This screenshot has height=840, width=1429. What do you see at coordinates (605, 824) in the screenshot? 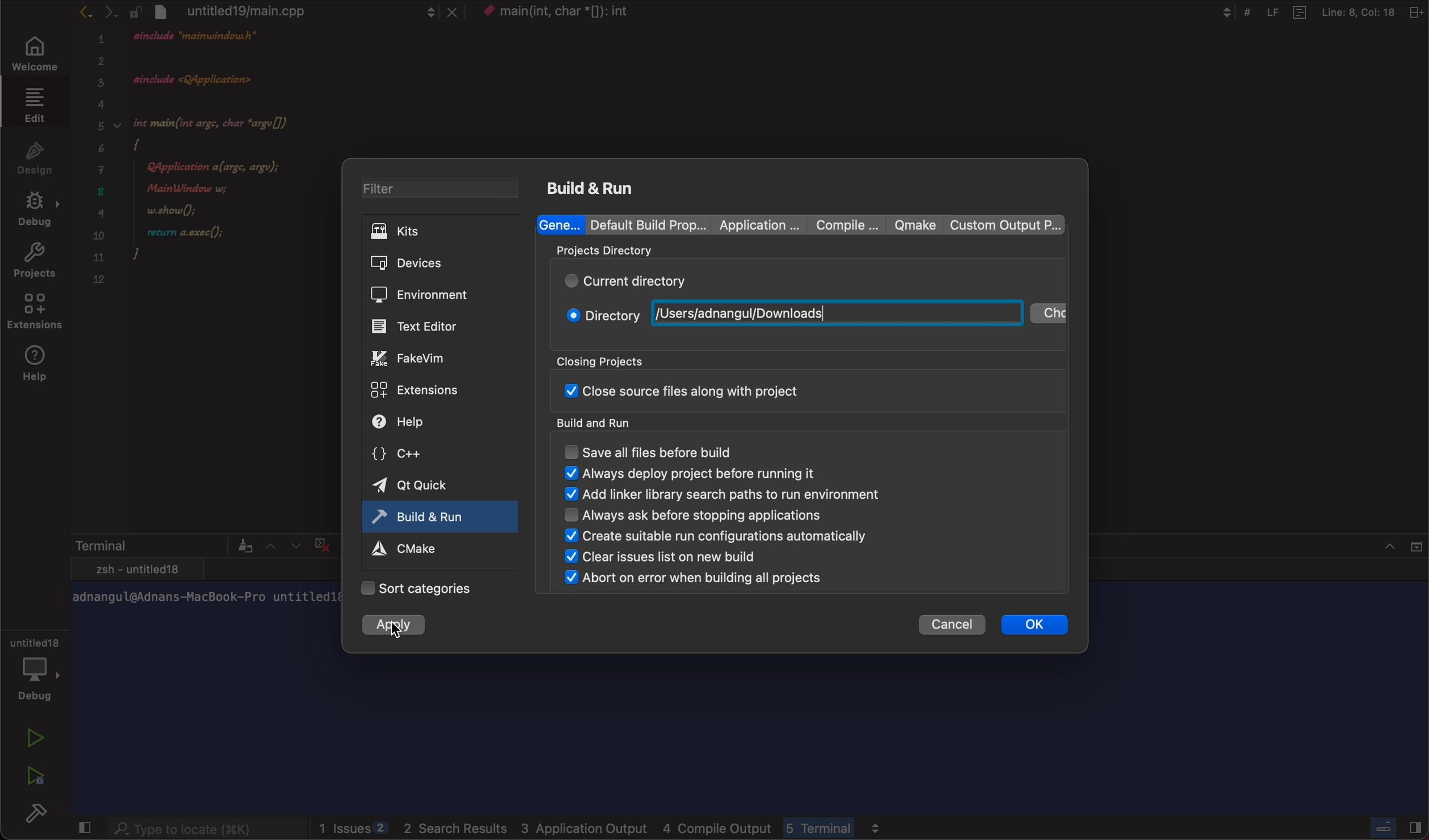
I see `logs` at bounding box center [605, 824].